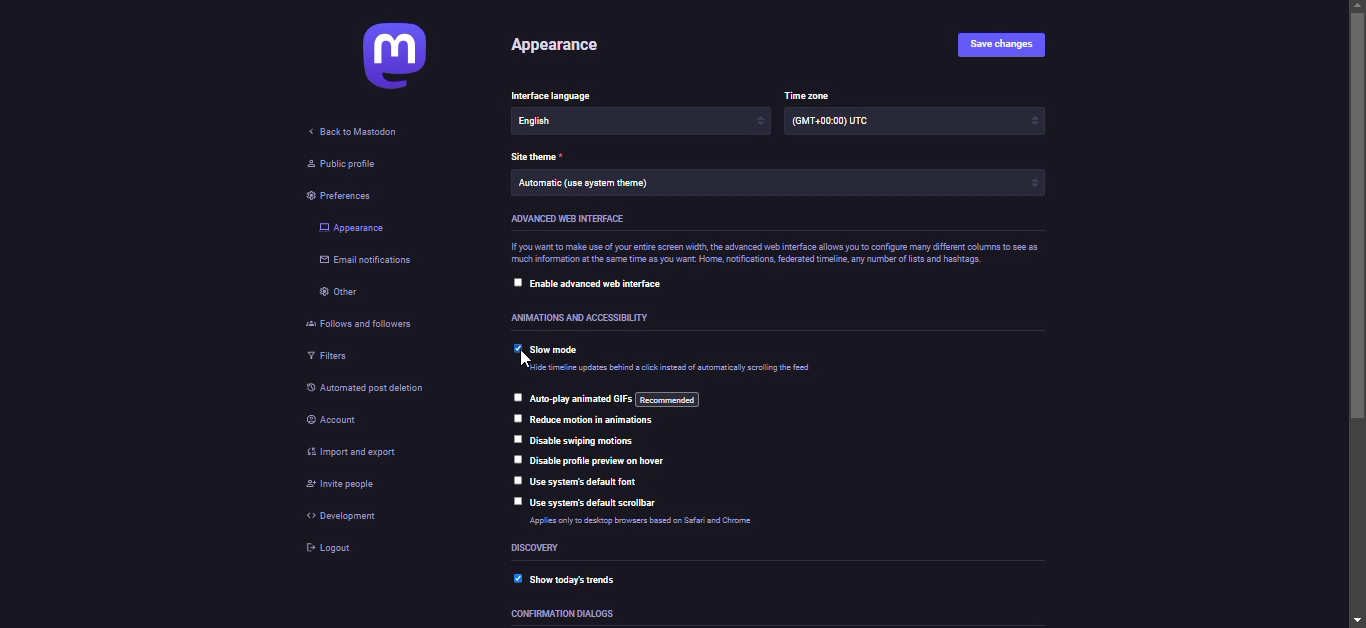 The image size is (1366, 628). What do you see at coordinates (355, 453) in the screenshot?
I see `import & export` at bounding box center [355, 453].